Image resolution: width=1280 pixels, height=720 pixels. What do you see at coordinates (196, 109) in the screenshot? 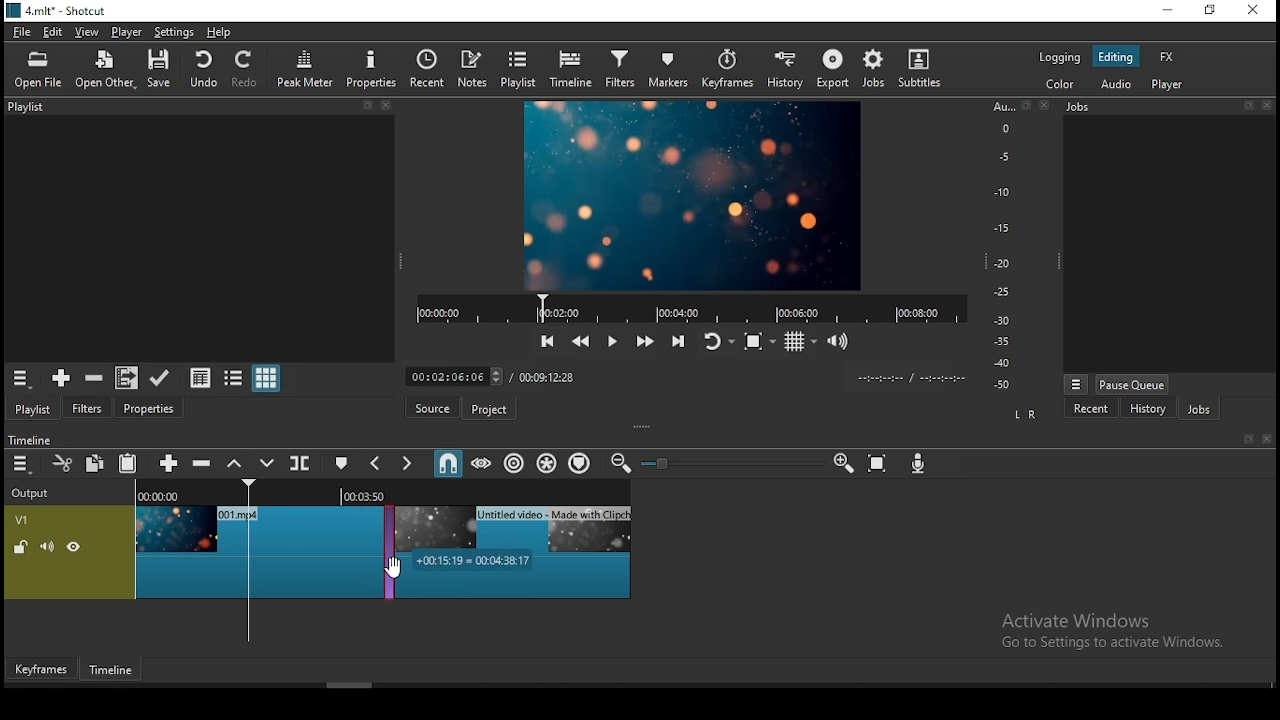
I see `playlist` at bounding box center [196, 109].